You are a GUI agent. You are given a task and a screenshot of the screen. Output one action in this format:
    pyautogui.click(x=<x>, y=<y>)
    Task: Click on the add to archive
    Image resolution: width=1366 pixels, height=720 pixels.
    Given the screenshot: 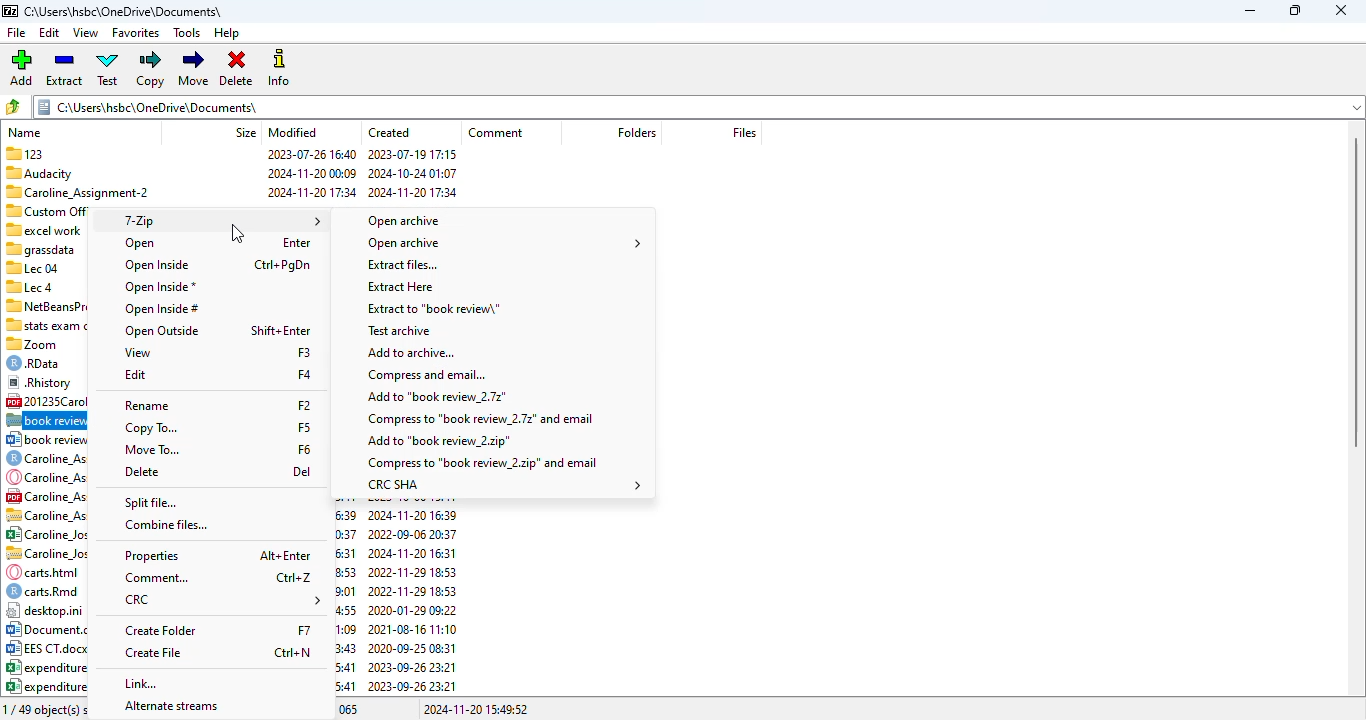 What is the action you would take?
    pyautogui.click(x=411, y=352)
    